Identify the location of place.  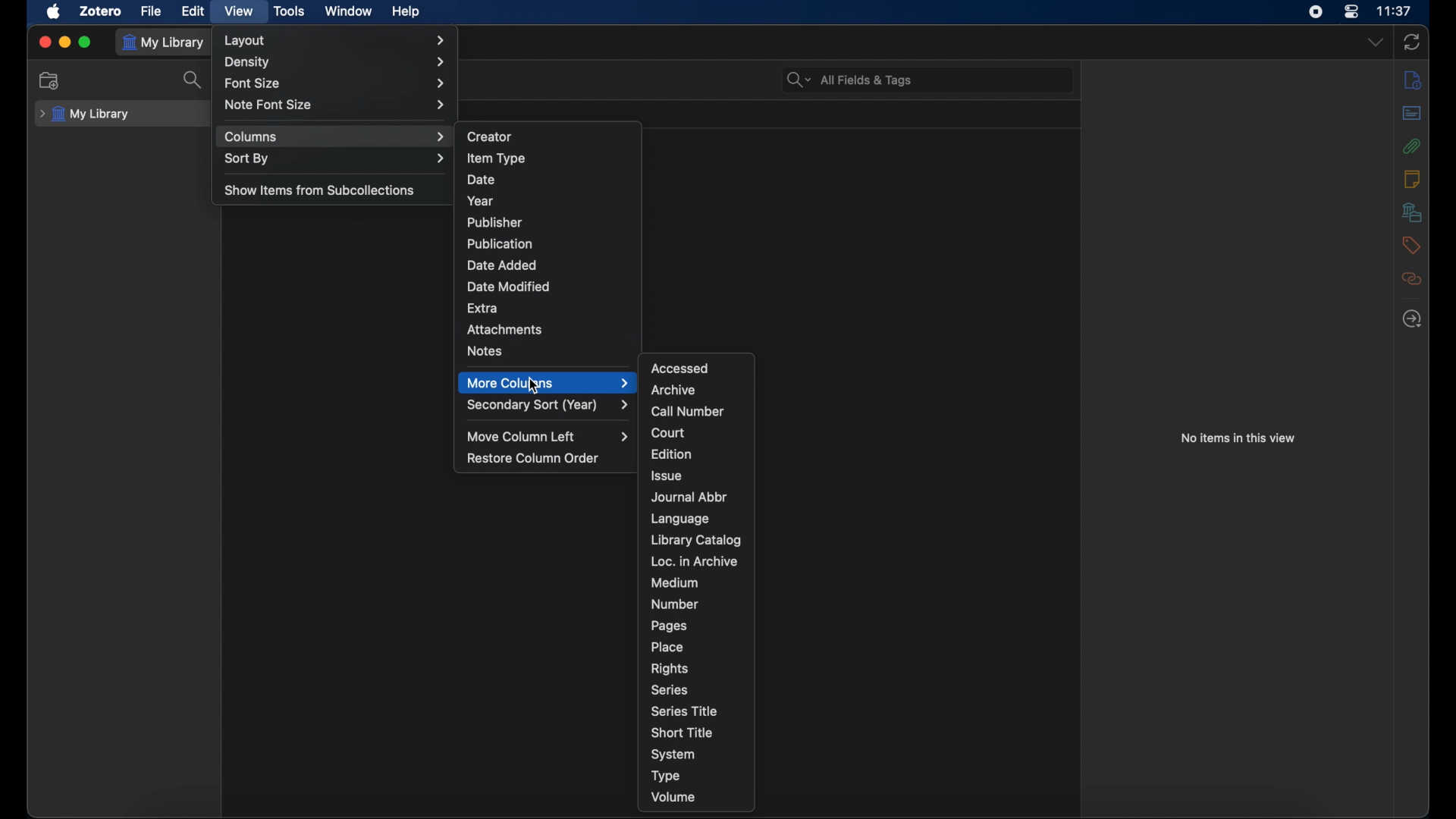
(669, 647).